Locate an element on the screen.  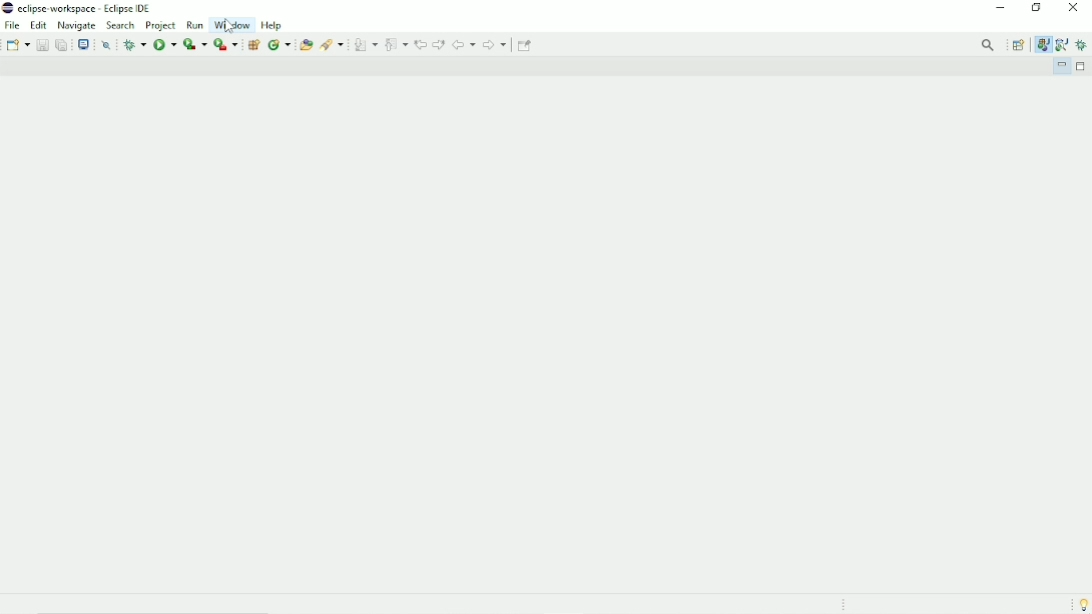
Minimize is located at coordinates (1060, 66).